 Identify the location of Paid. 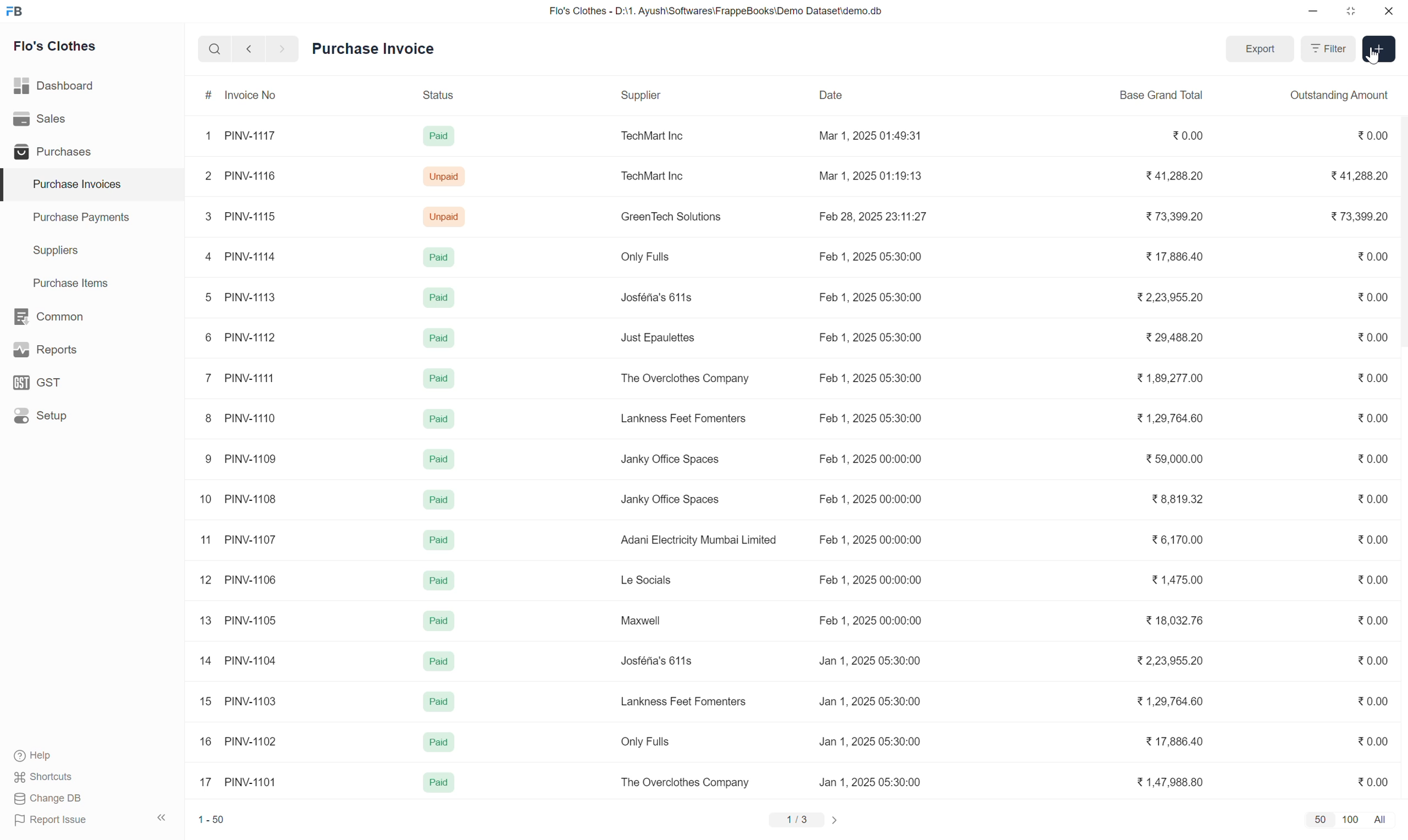
(438, 378).